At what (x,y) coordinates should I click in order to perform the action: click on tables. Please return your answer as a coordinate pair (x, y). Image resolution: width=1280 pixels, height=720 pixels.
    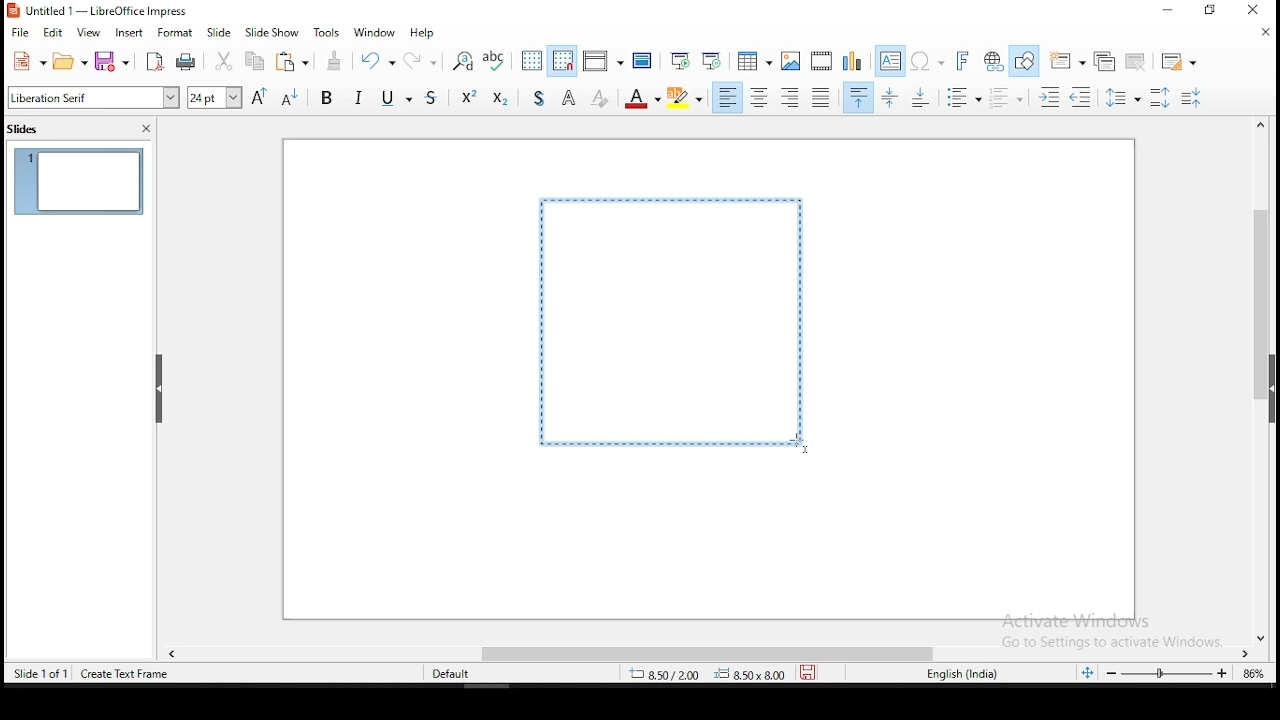
    Looking at the image, I should click on (756, 61).